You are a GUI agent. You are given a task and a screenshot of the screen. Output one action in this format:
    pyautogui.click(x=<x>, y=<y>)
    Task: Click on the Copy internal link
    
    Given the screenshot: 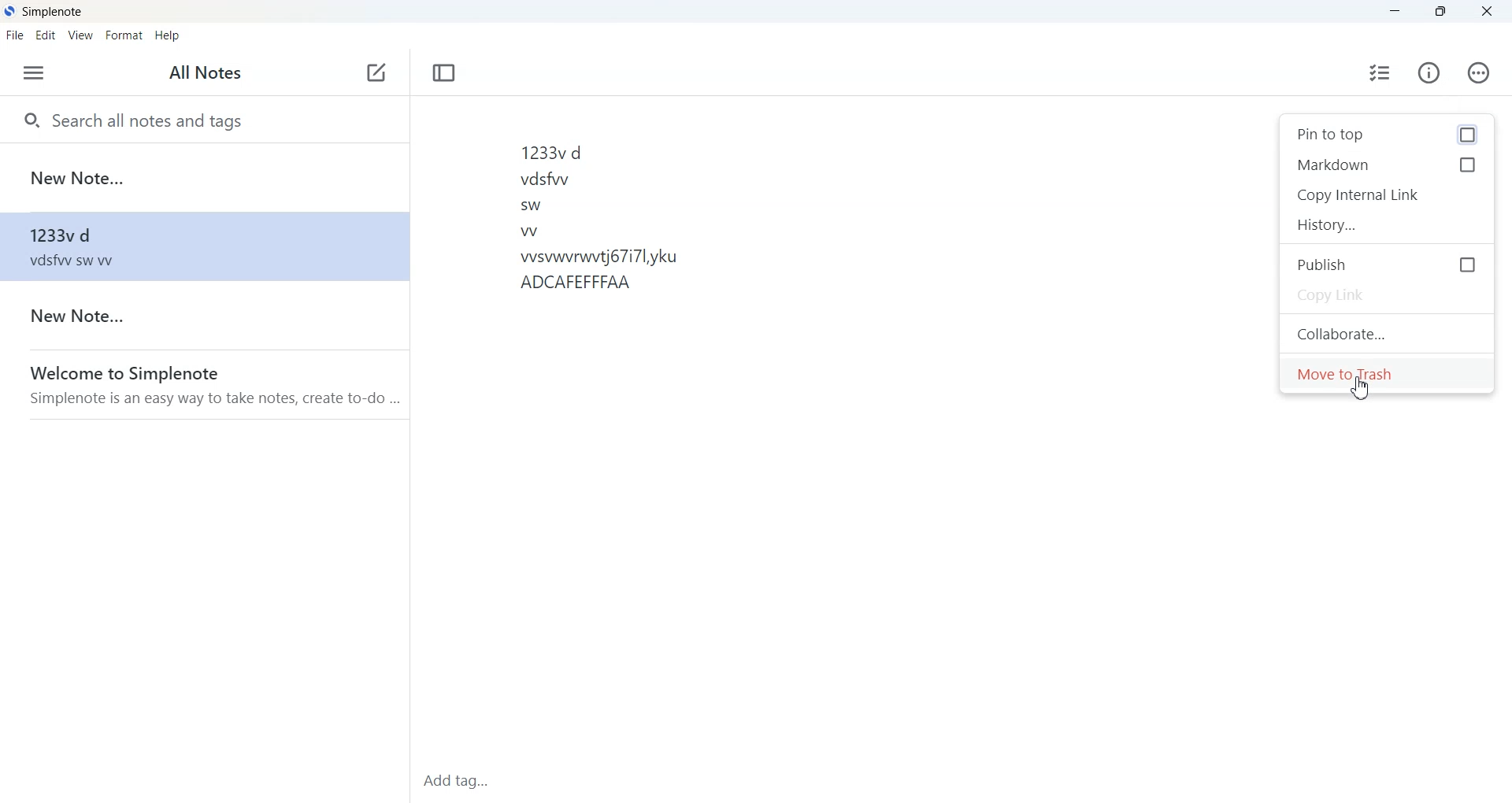 What is the action you would take?
    pyautogui.click(x=1388, y=195)
    